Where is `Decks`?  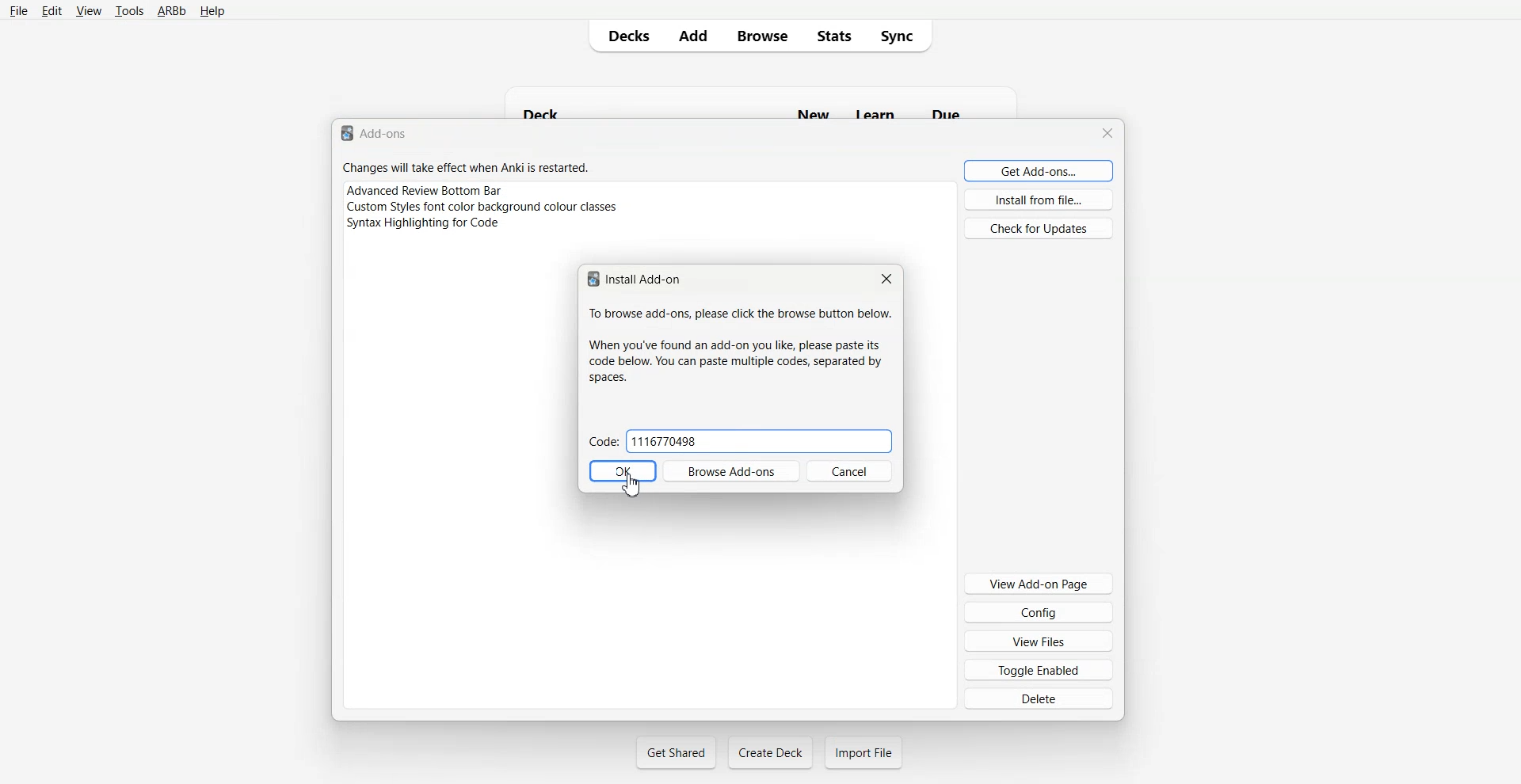 Decks is located at coordinates (623, 35).